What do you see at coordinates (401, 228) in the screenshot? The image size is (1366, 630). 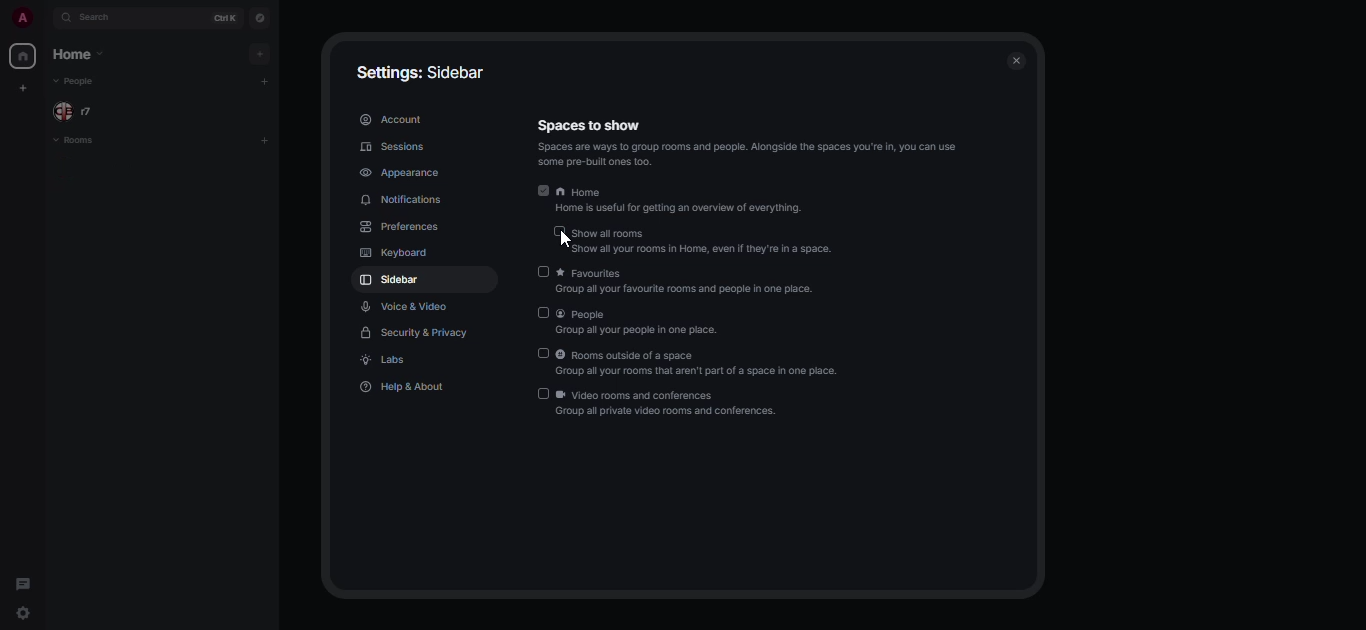 I see `preferences` at bounding box center [401, 228].